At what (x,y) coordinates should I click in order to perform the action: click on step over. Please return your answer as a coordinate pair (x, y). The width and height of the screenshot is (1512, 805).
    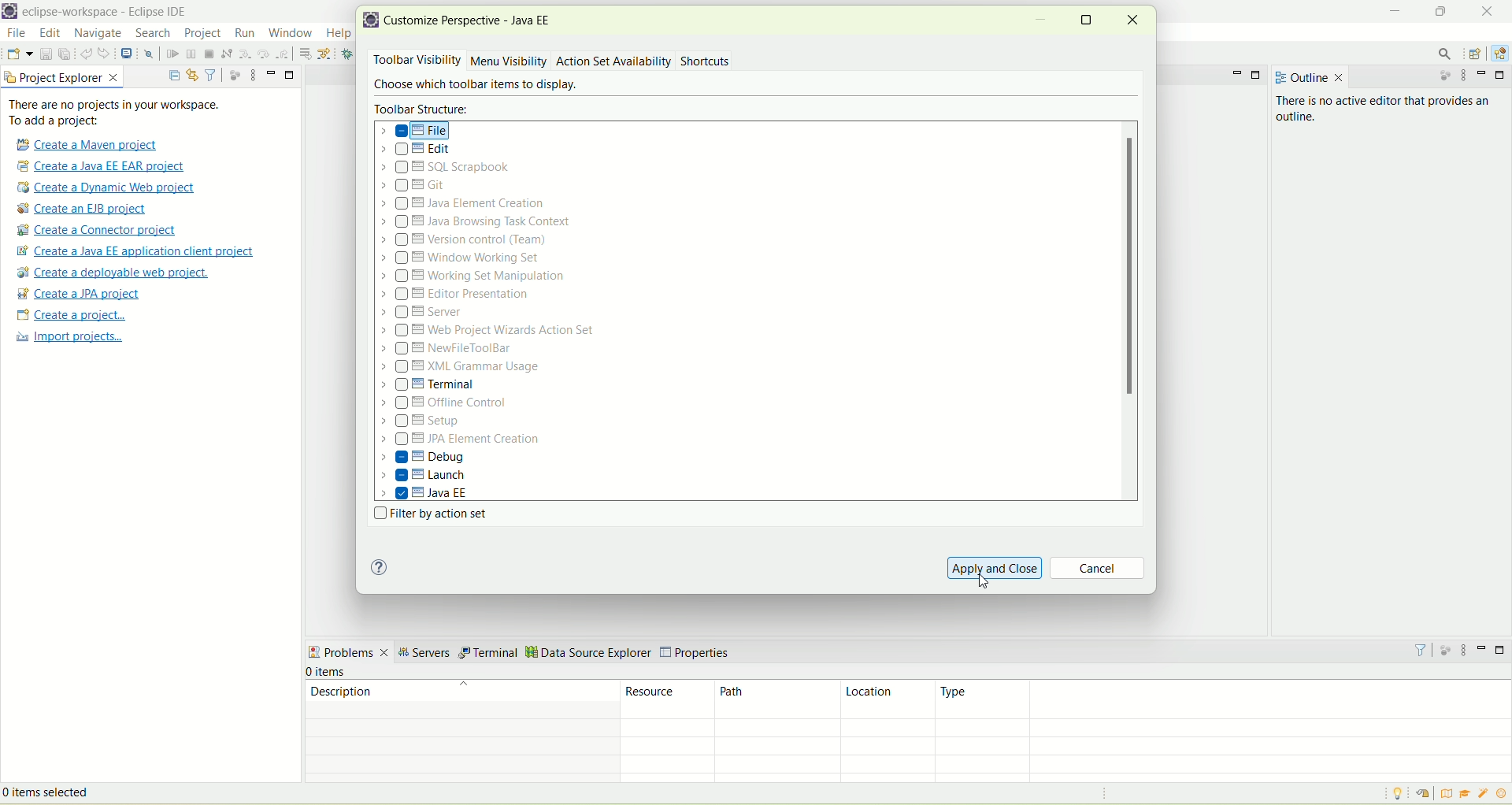
    Looking at the image, I should click on (264, 54).